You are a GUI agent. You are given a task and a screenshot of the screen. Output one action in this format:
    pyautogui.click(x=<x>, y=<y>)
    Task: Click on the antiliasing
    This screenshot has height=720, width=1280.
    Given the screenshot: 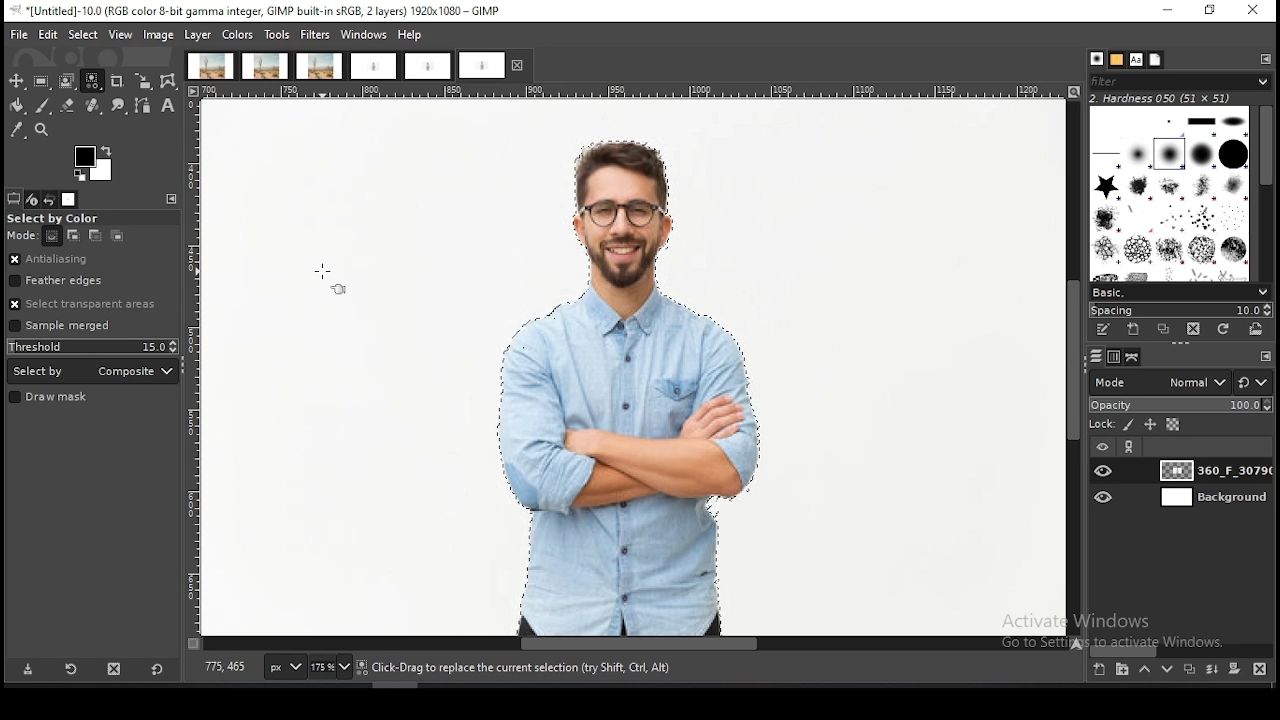 What is the action you would take?
    pyautogui.click(x=92, y=260)
    